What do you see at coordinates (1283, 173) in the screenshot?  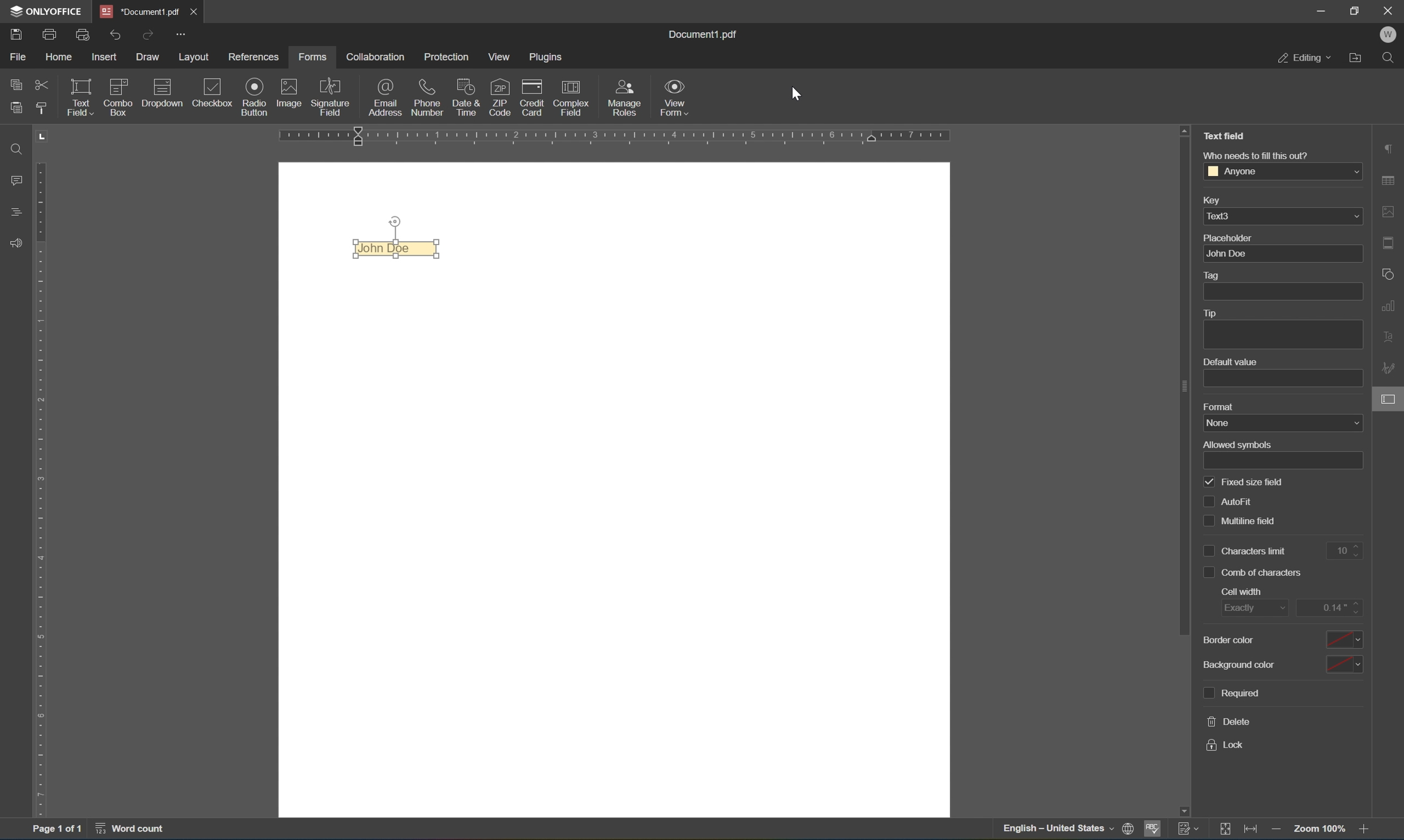 I see `anyone` at bounding box center [1283, 173].